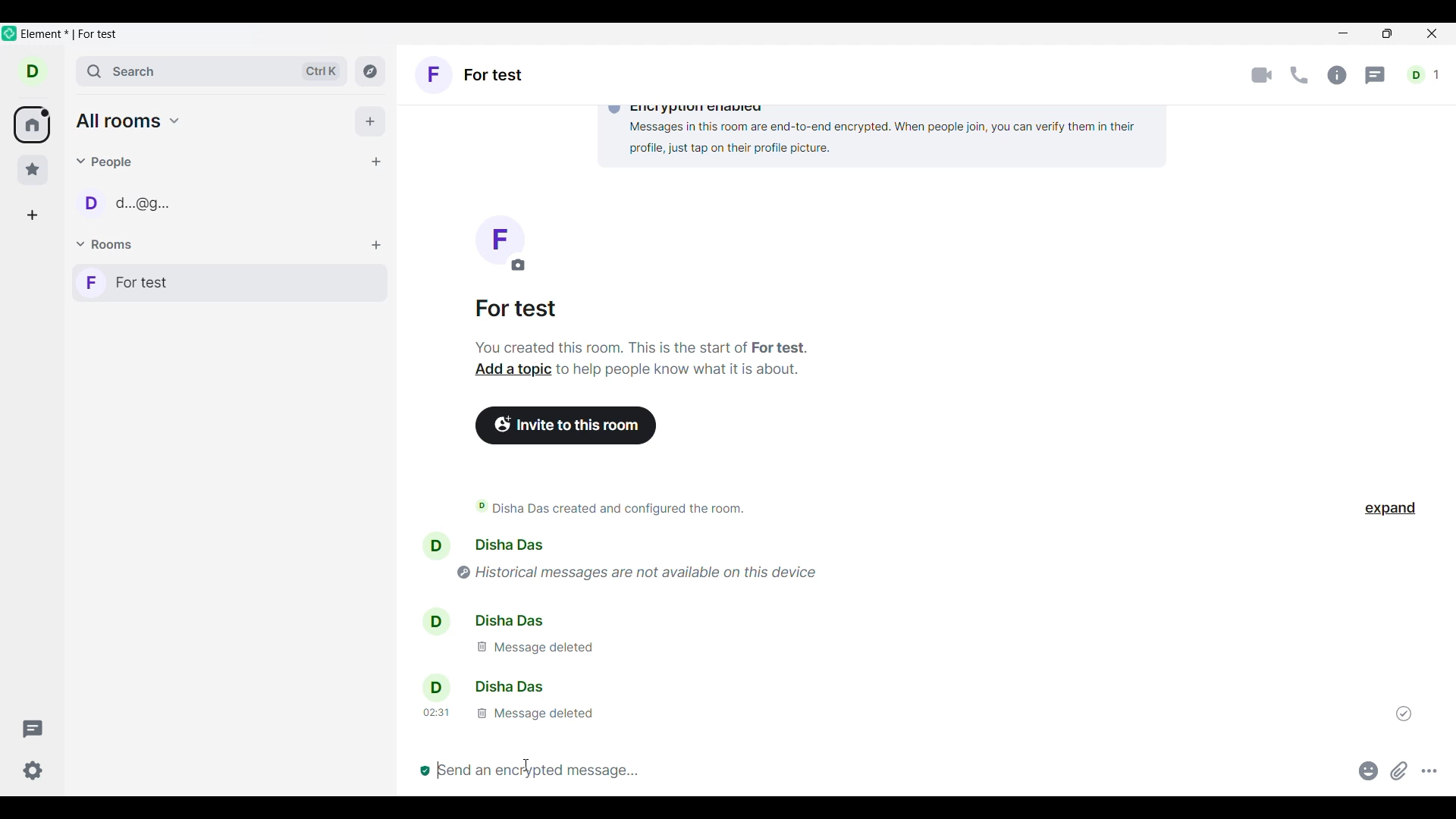 The width and height of the screenshot is (1456, 819). What do you see at coordinates (33, 770) in the screenshot?
I see `Current settings` at bounding box center [33, 770].